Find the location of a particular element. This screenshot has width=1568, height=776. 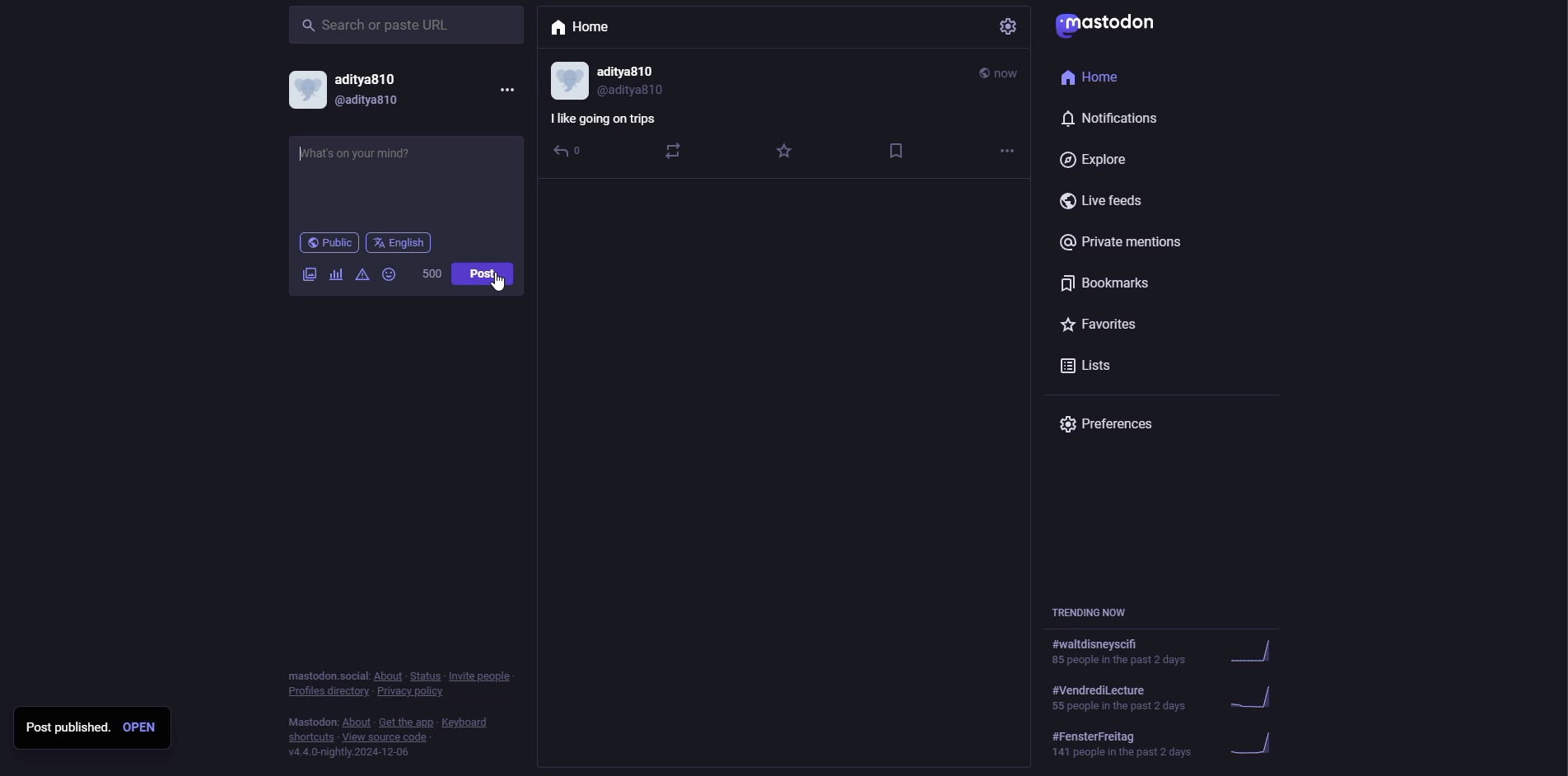

post is located at coordinates (485, 272).